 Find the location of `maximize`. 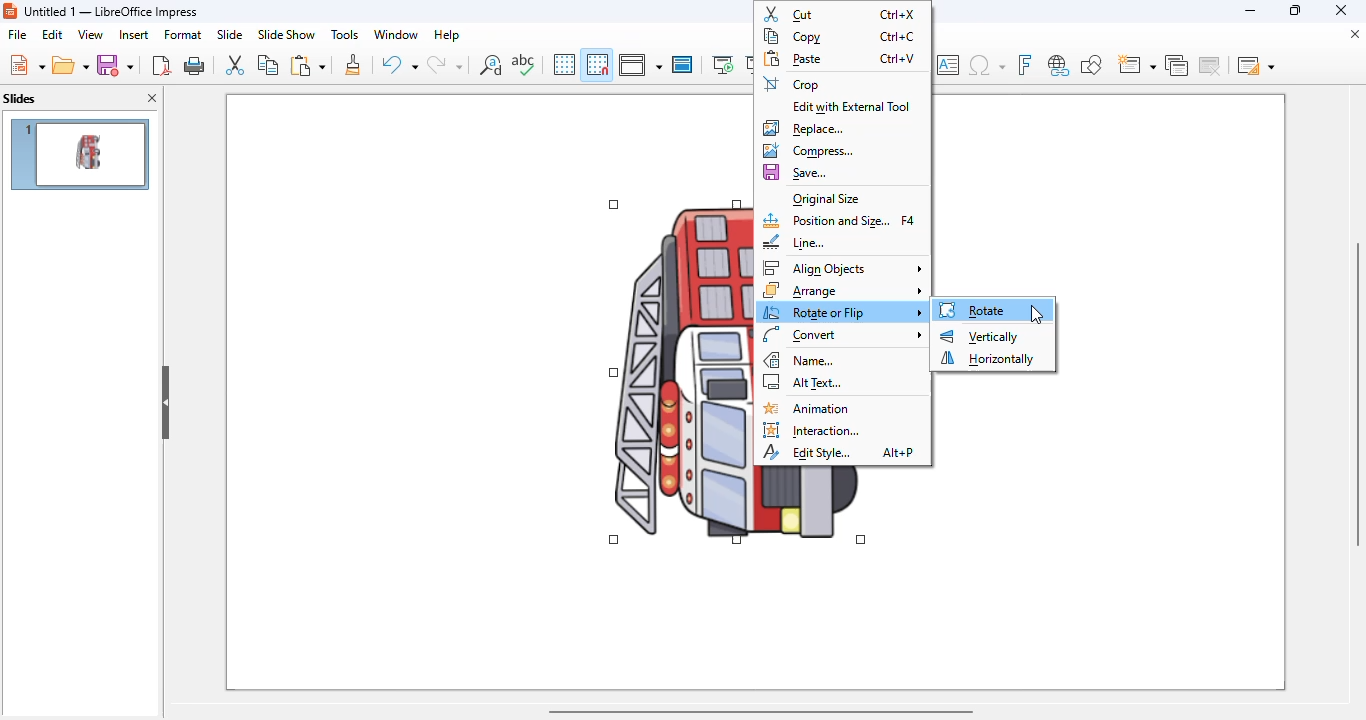

maximize is located at coordinates (1294, 10).